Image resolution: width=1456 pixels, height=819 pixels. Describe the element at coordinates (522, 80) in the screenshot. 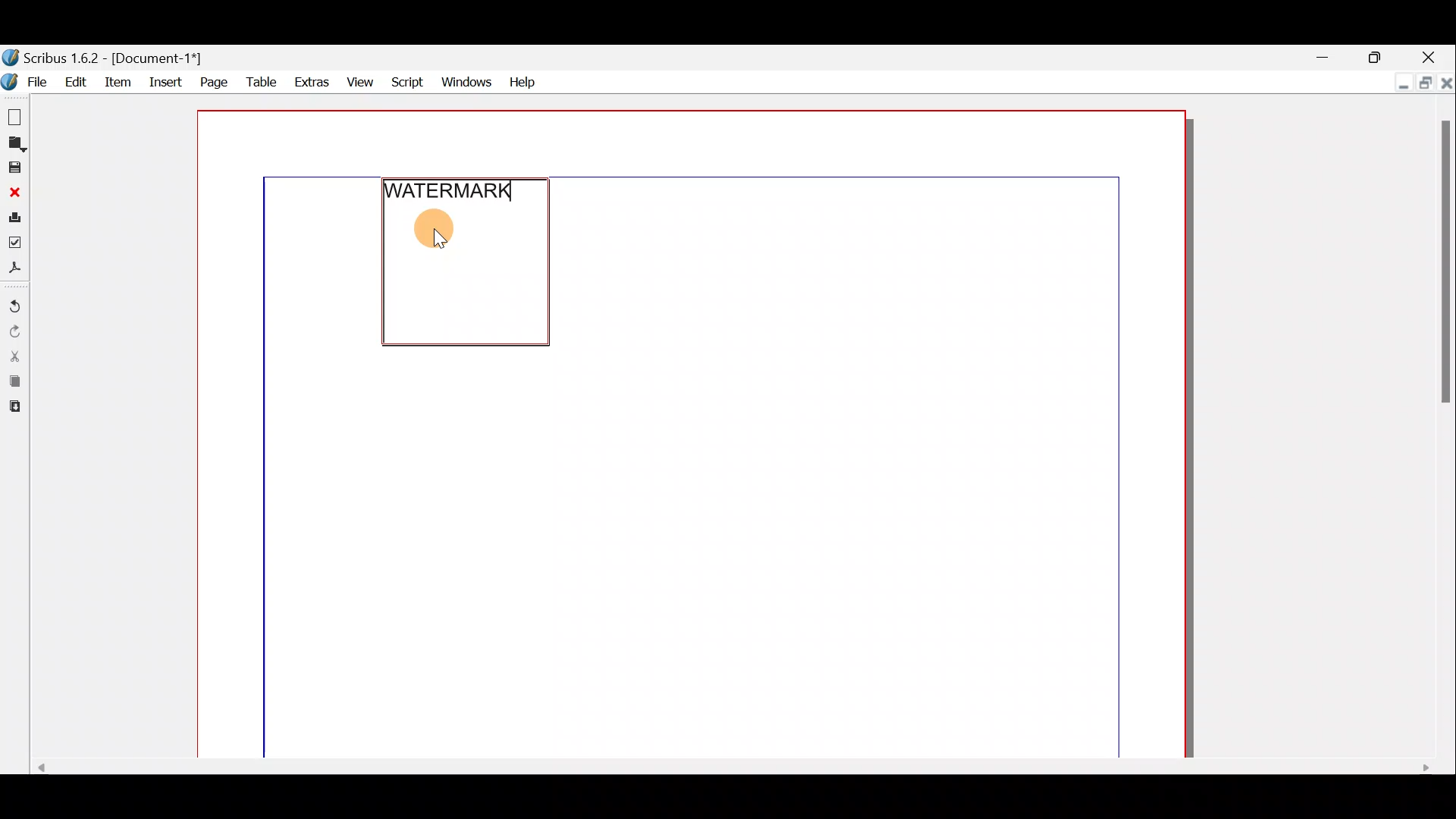

I see `Help` at that location.